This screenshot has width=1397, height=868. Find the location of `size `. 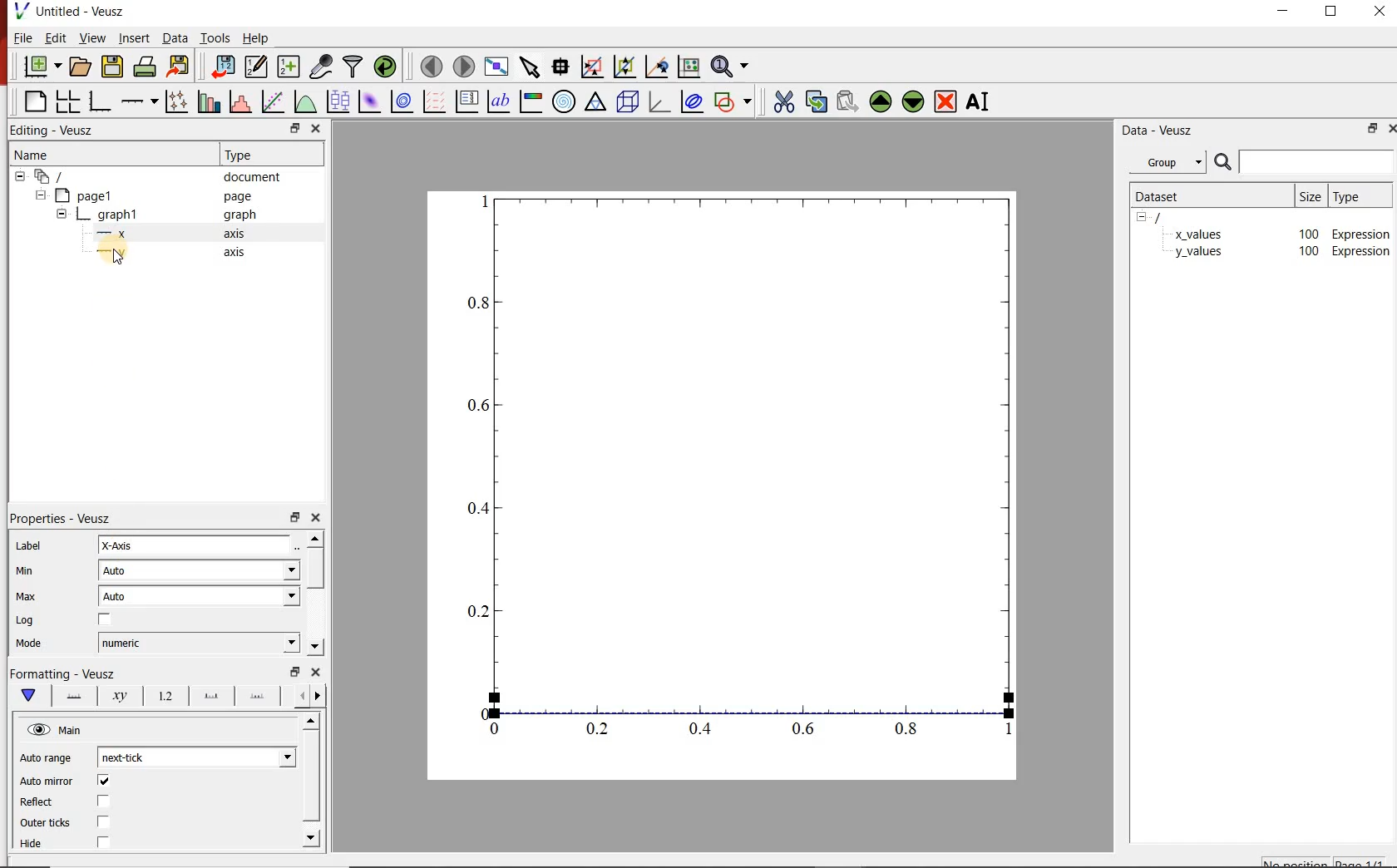

size  is located at coordinates (1311, 196).